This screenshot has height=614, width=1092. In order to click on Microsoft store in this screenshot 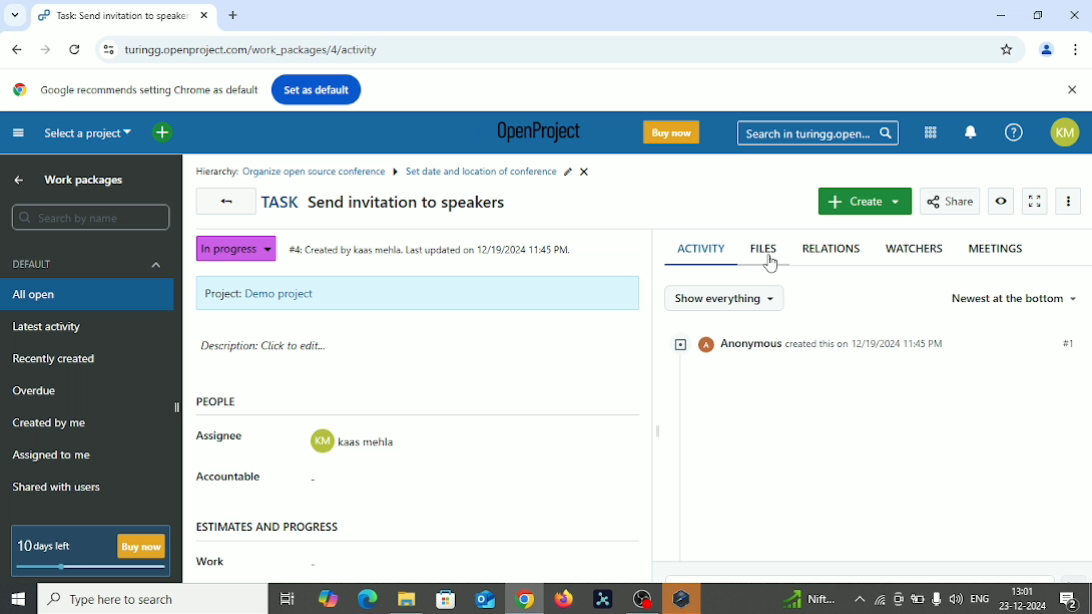, I will do `click(443, 598)`.